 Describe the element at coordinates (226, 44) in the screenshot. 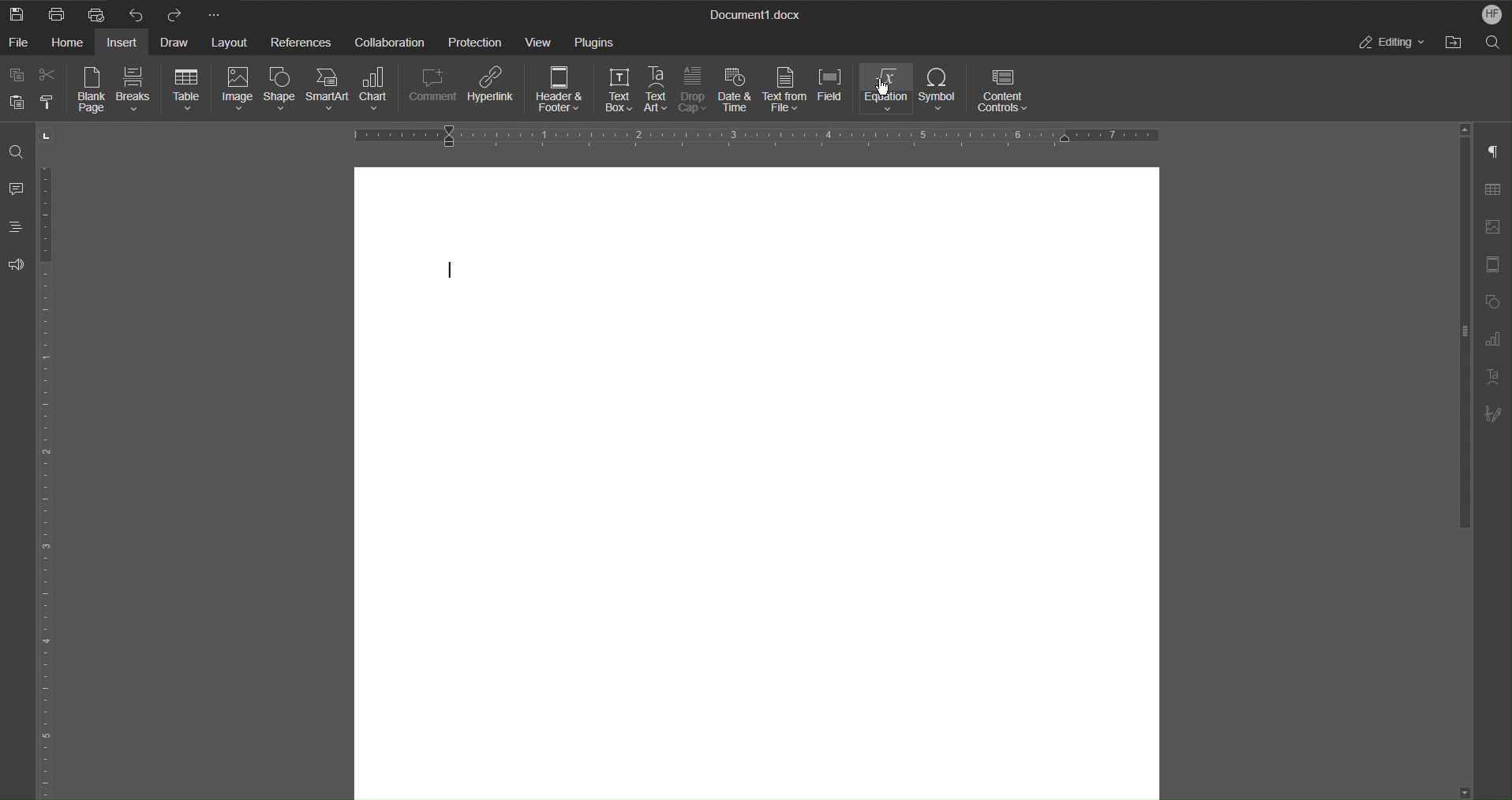

I see `Layout` at that location.